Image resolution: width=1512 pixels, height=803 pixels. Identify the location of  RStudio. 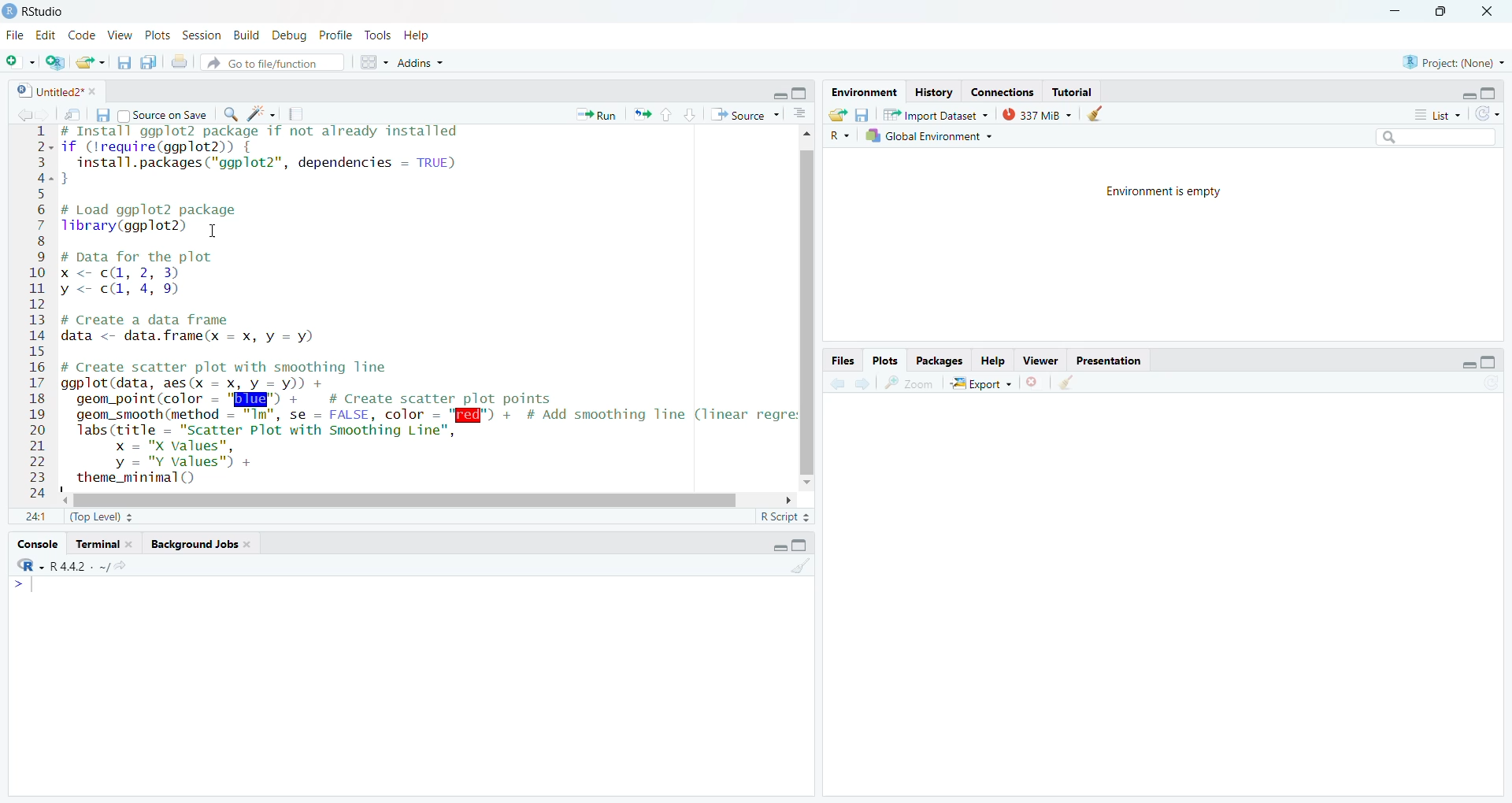
(37, 9).